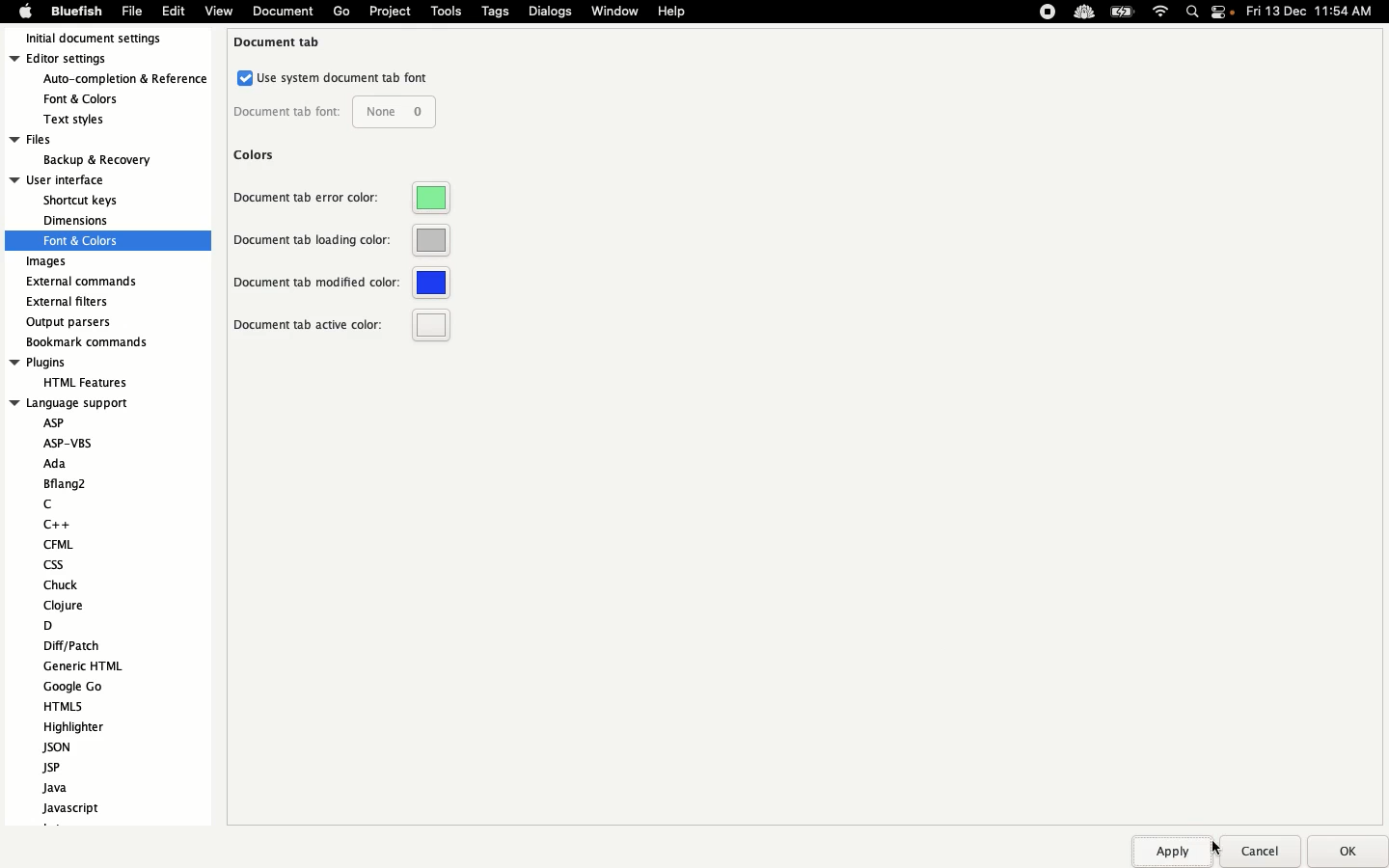 This screenshot has width=1389, height=868. I want to click on Files, so click(82, 139).